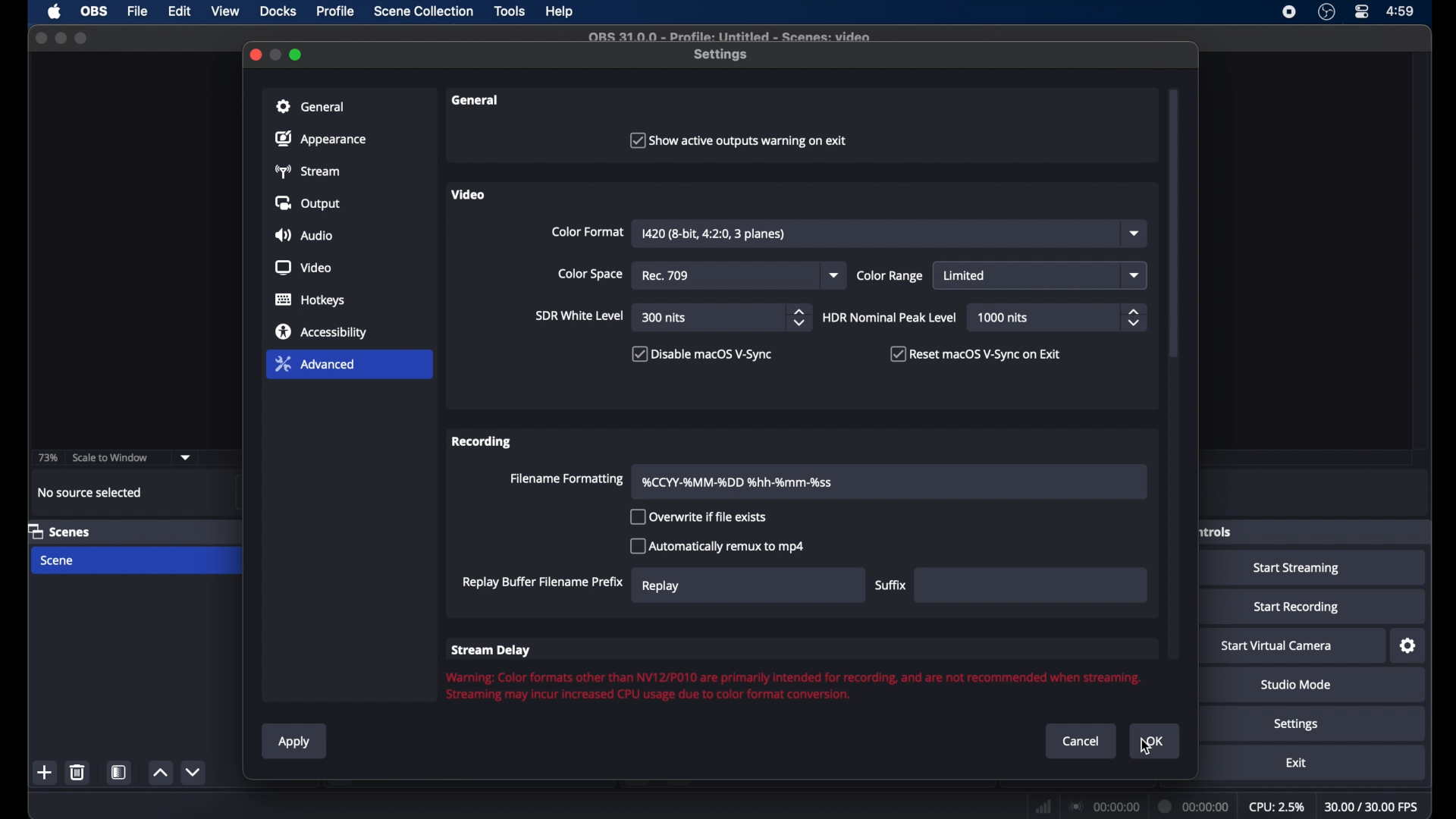 This screenshot has width=1456, height=819. I want to click on 4:59, so click(1400, 11).